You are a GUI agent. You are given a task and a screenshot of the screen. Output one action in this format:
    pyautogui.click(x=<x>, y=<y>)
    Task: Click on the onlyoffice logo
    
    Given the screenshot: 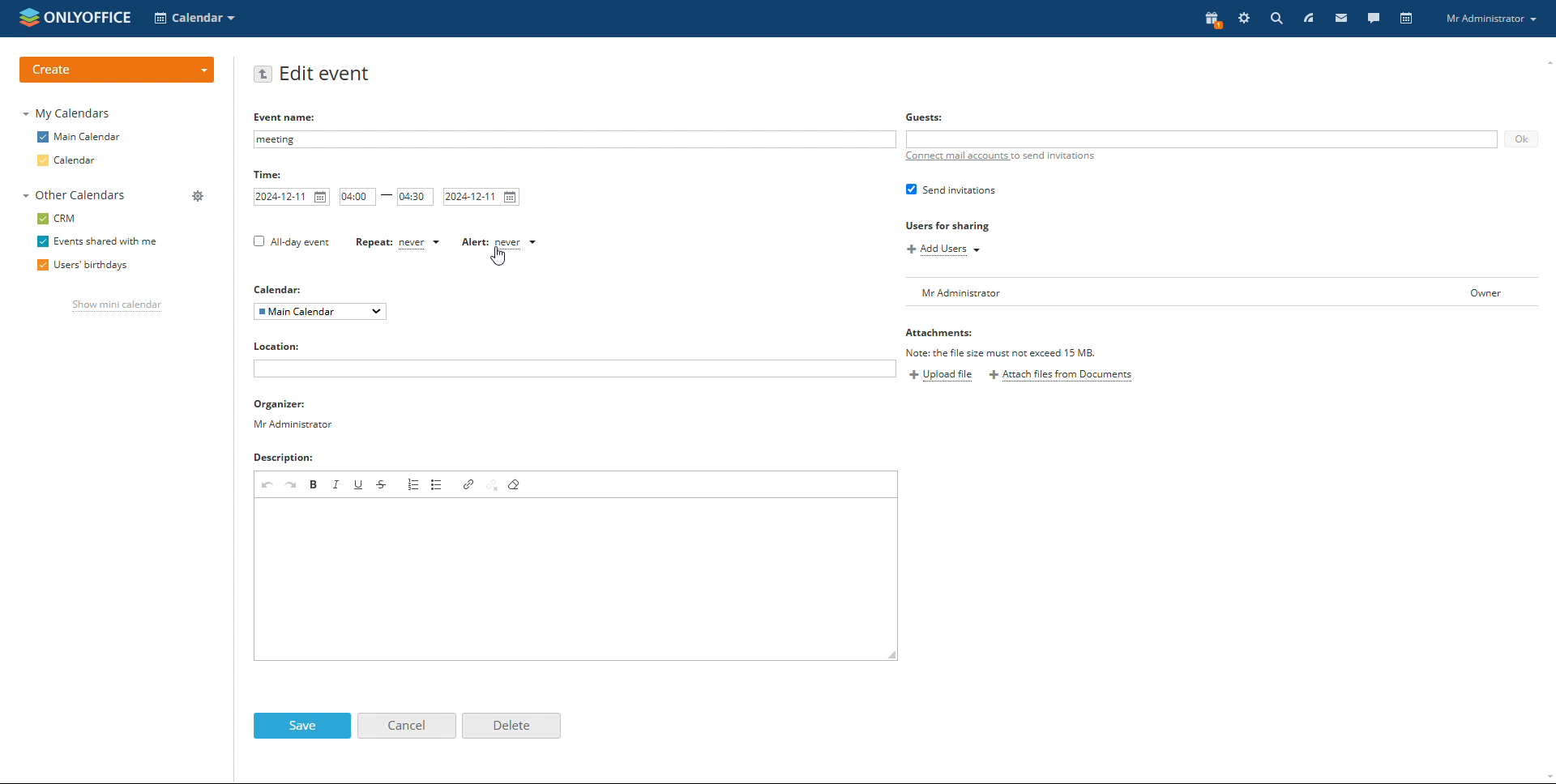 What is the action you would take?
    pyautogui.click(x=27, y=17)
    